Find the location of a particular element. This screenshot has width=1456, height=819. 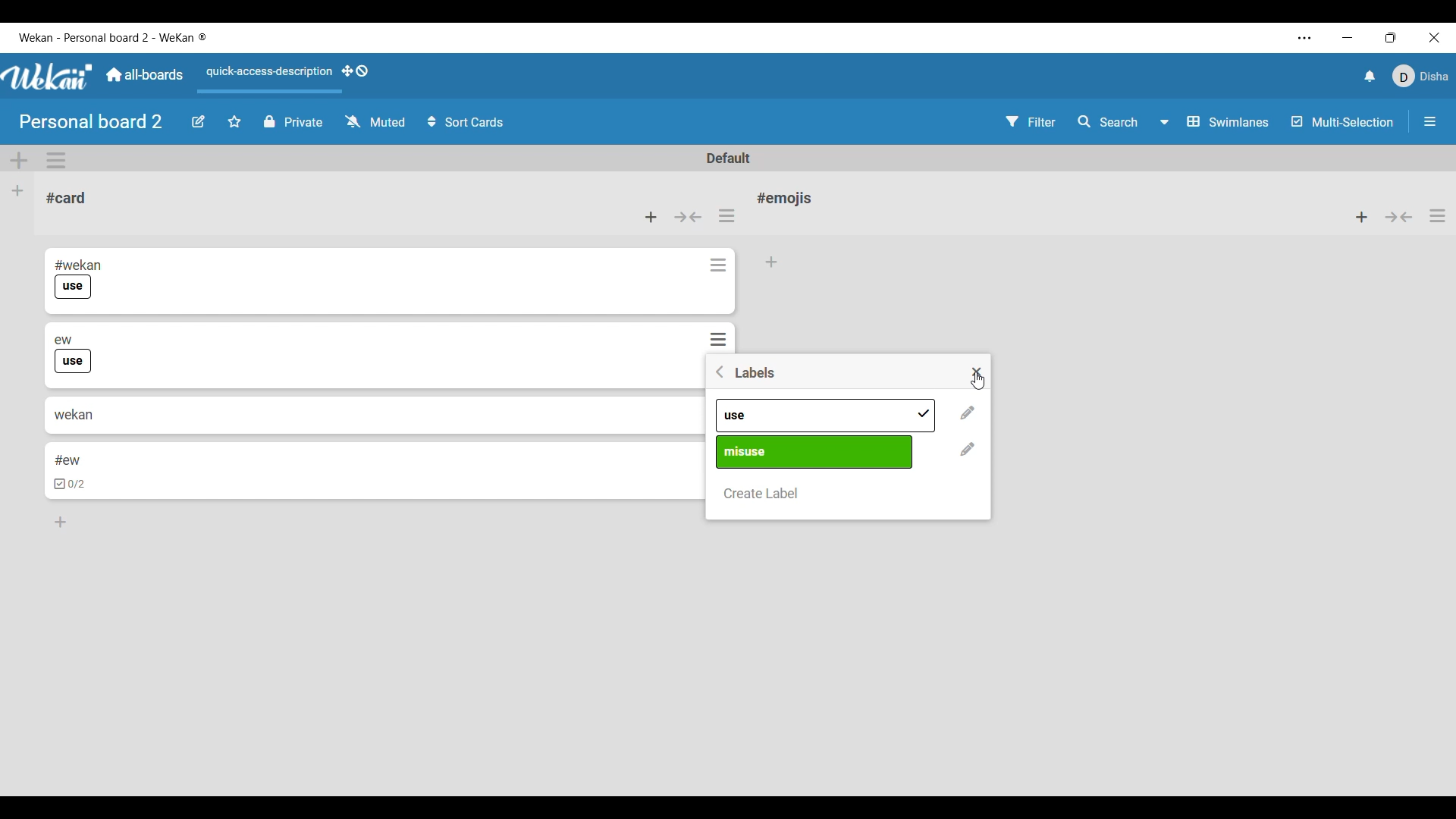

Card name is located at coordinates (788, 198).